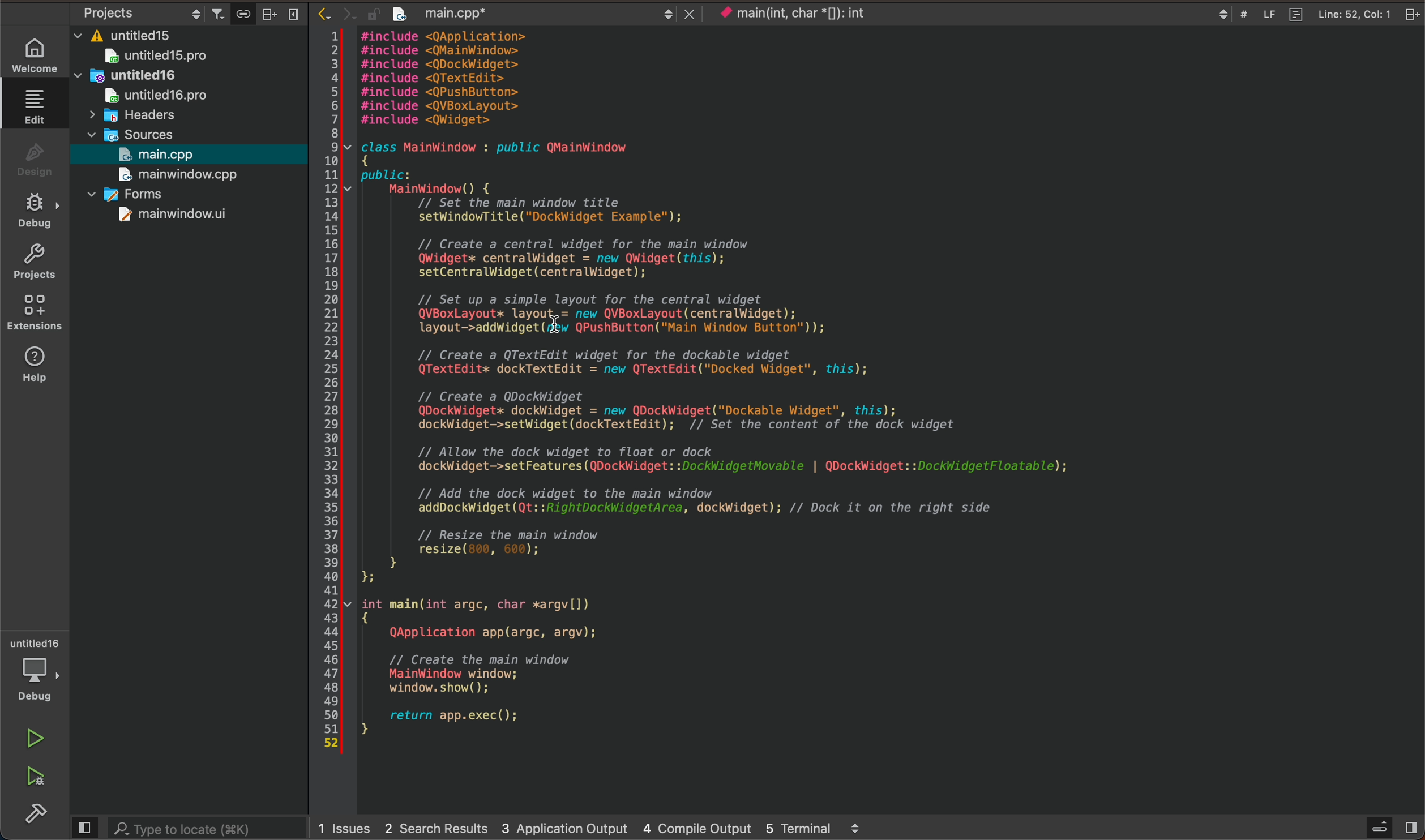 This screenshot has width=1425, height=840. Describe the element at coordinates (164, 153) in the screenshot. I see `main.cpp` at that location.